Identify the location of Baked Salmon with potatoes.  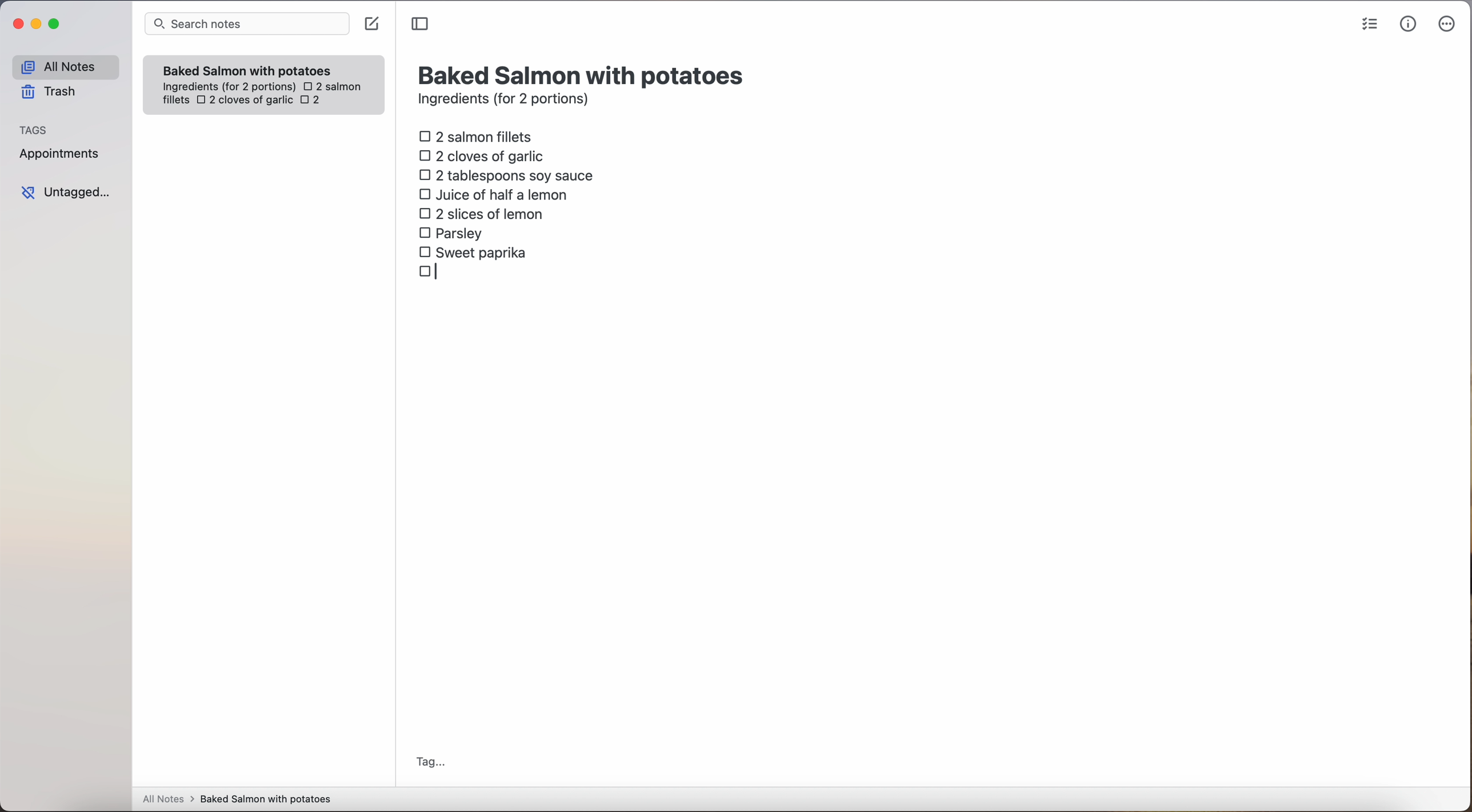
(247, 68).